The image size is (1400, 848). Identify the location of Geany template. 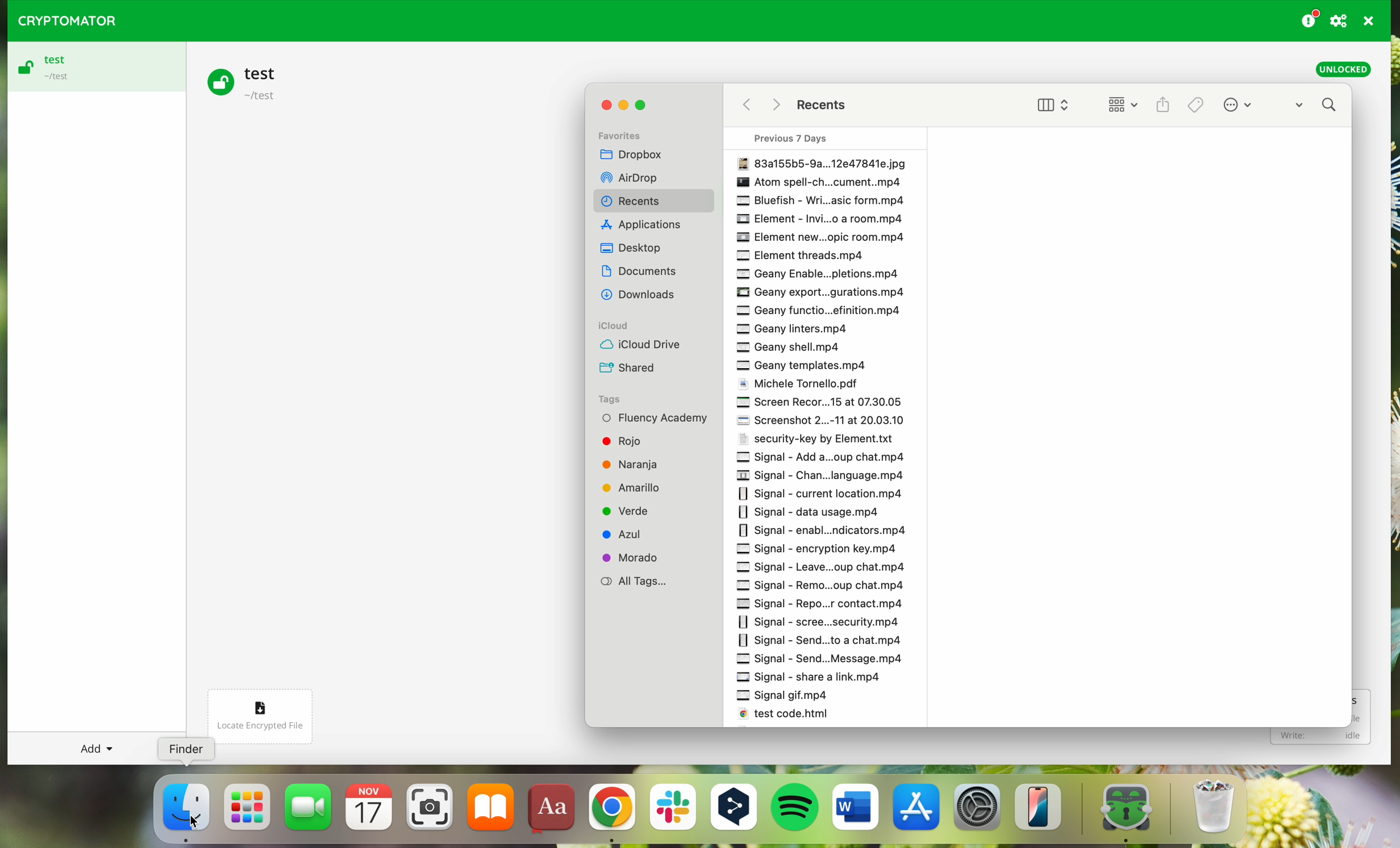
(807, 367).